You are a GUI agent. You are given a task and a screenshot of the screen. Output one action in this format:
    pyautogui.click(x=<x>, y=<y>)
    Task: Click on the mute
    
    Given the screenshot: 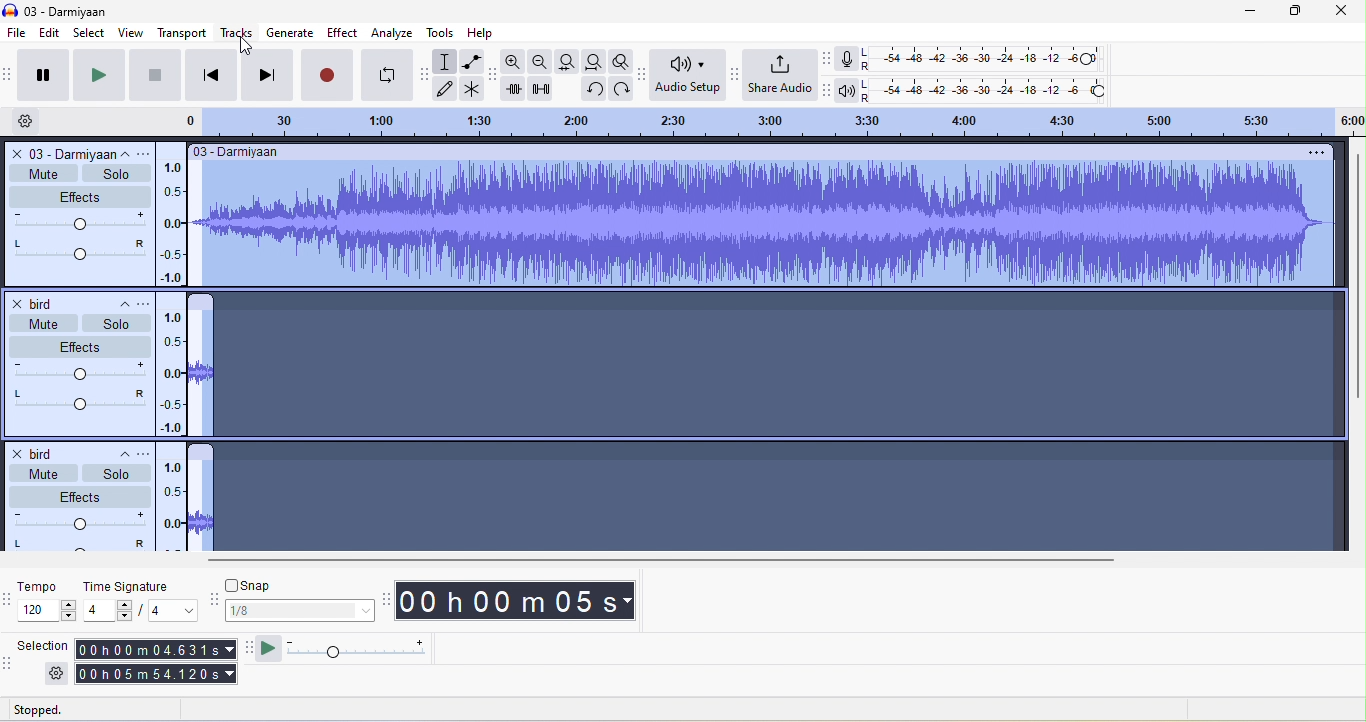 What is the action you would take?
    pyautogui.click(x=44, y=474)
    